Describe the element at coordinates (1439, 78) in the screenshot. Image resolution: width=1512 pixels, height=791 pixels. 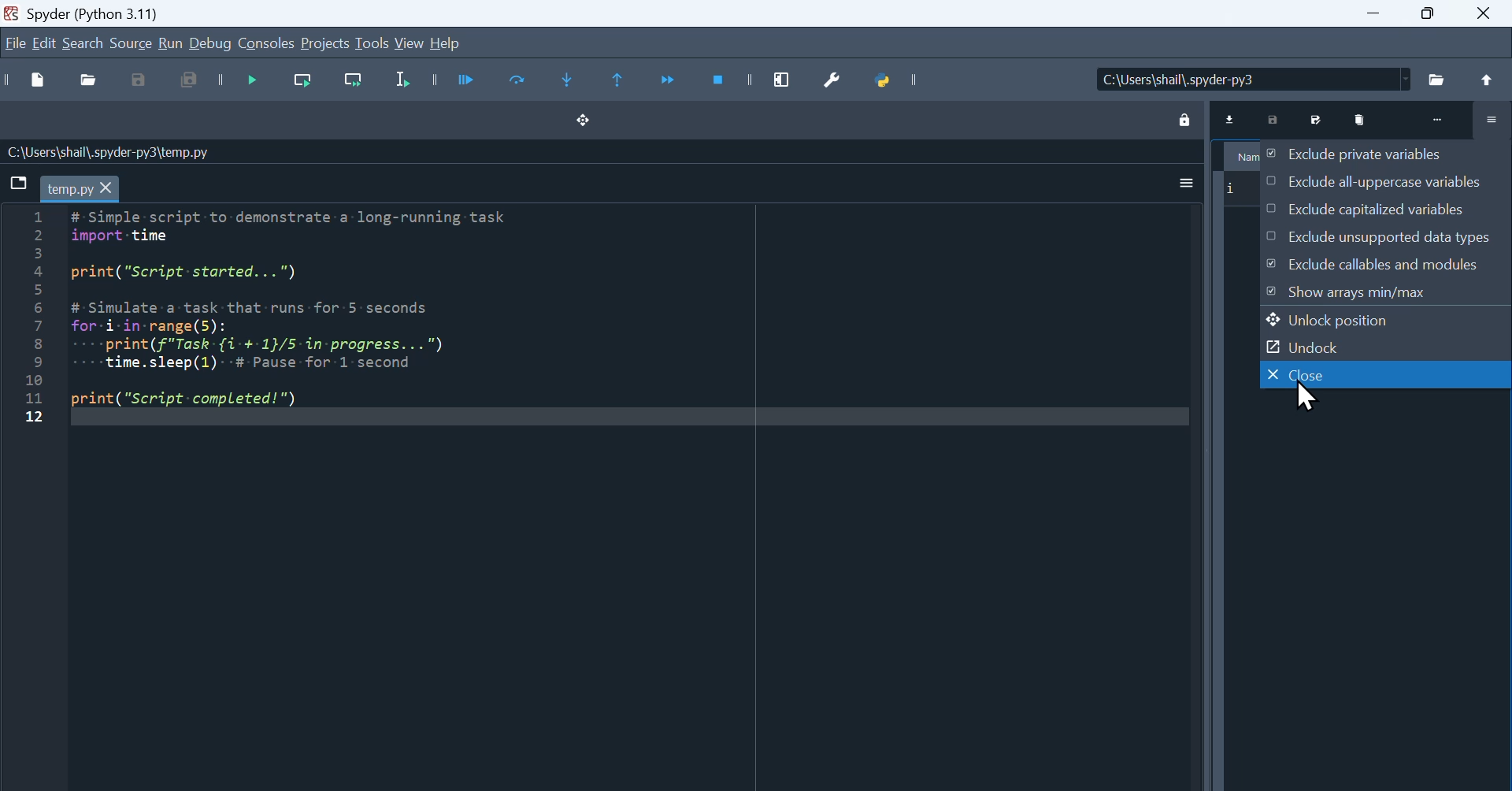
I see `File` at that location.